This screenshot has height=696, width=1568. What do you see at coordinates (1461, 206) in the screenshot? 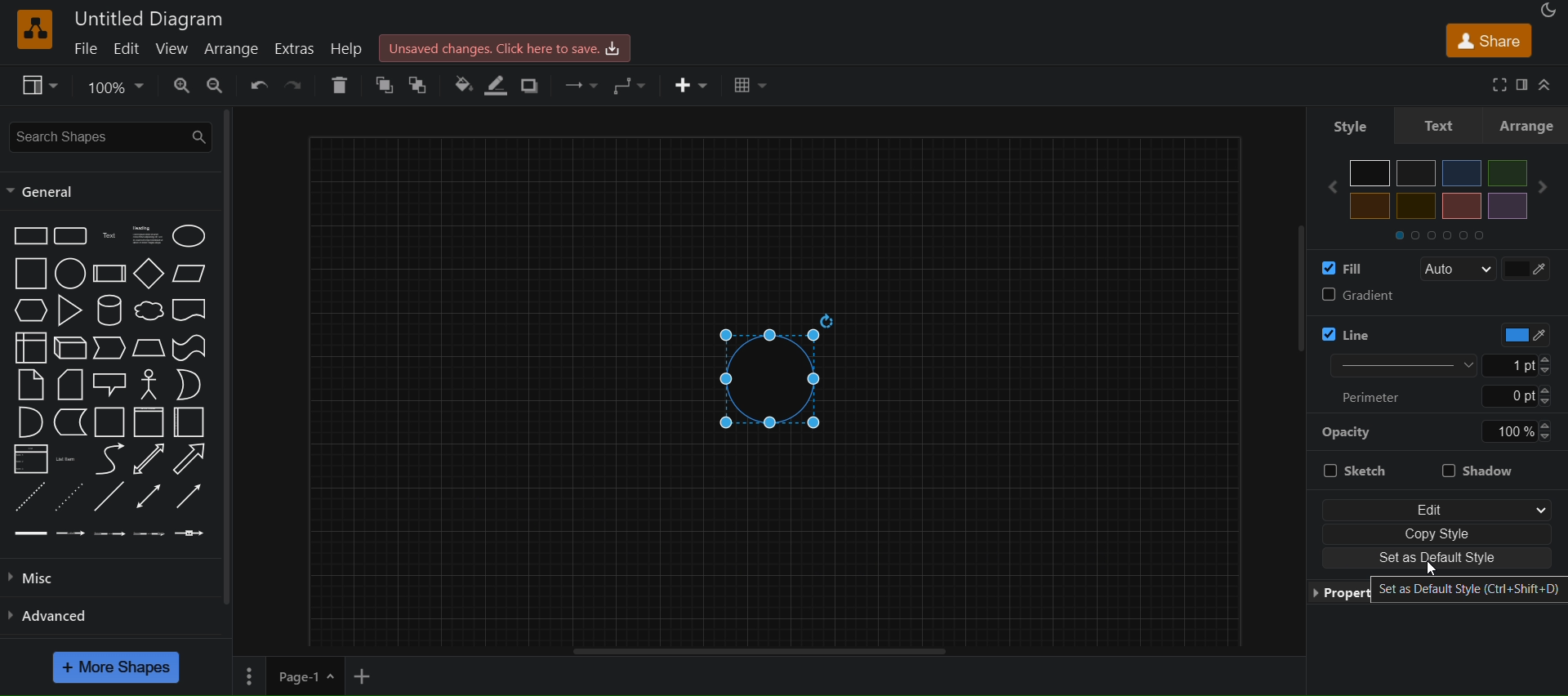
I see `brown color` at bounding box center [1461, 206].